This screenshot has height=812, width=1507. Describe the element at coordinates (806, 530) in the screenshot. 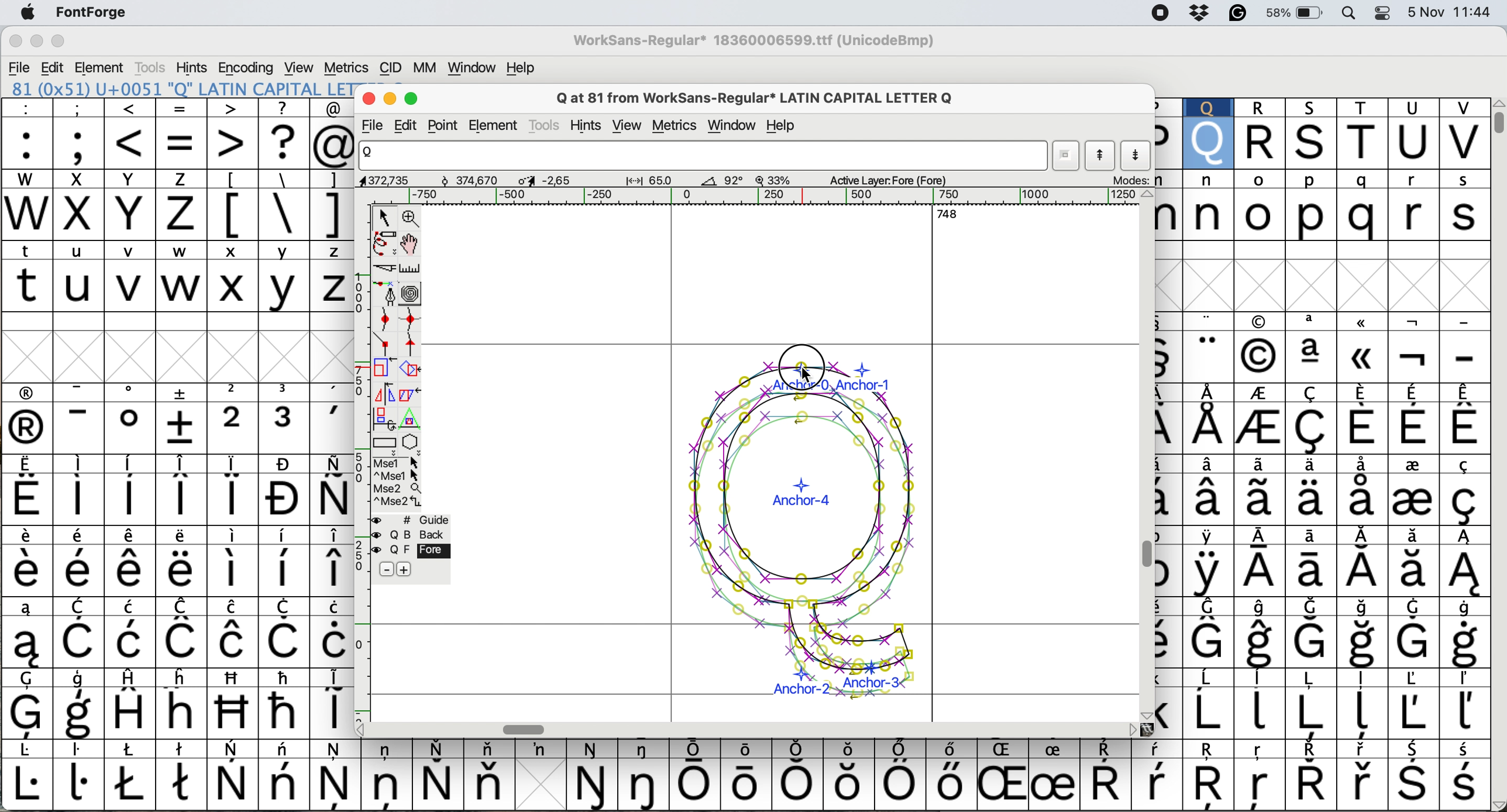

I see `adjust bearings of glyph` at that location.